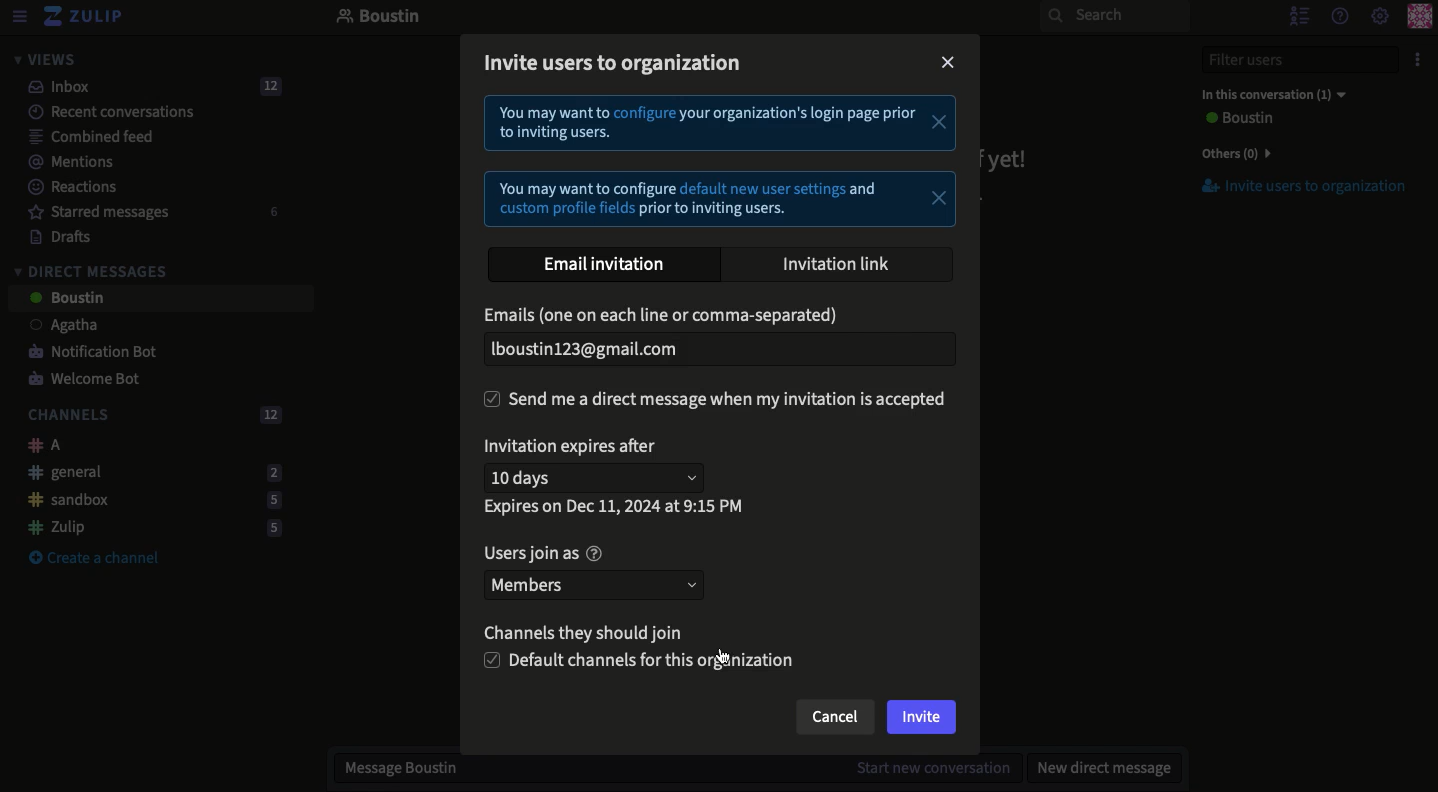 The image size is (1438, 792). What do you see at coordinates (1232, 153) in the screenshot?
I see `Others` at bounding box center [1232, 153].